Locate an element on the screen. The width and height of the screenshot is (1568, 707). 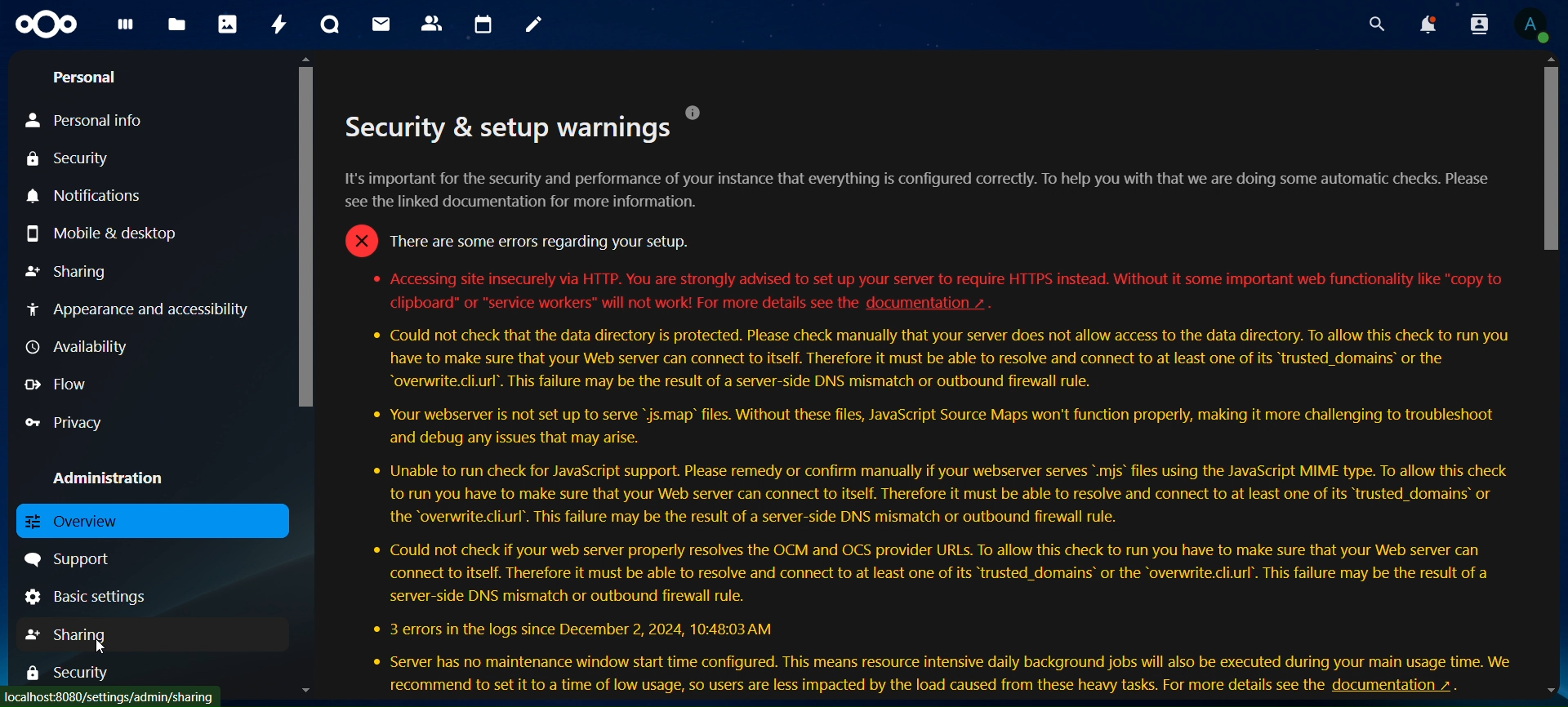
contact is located at coordinates (432, 22).